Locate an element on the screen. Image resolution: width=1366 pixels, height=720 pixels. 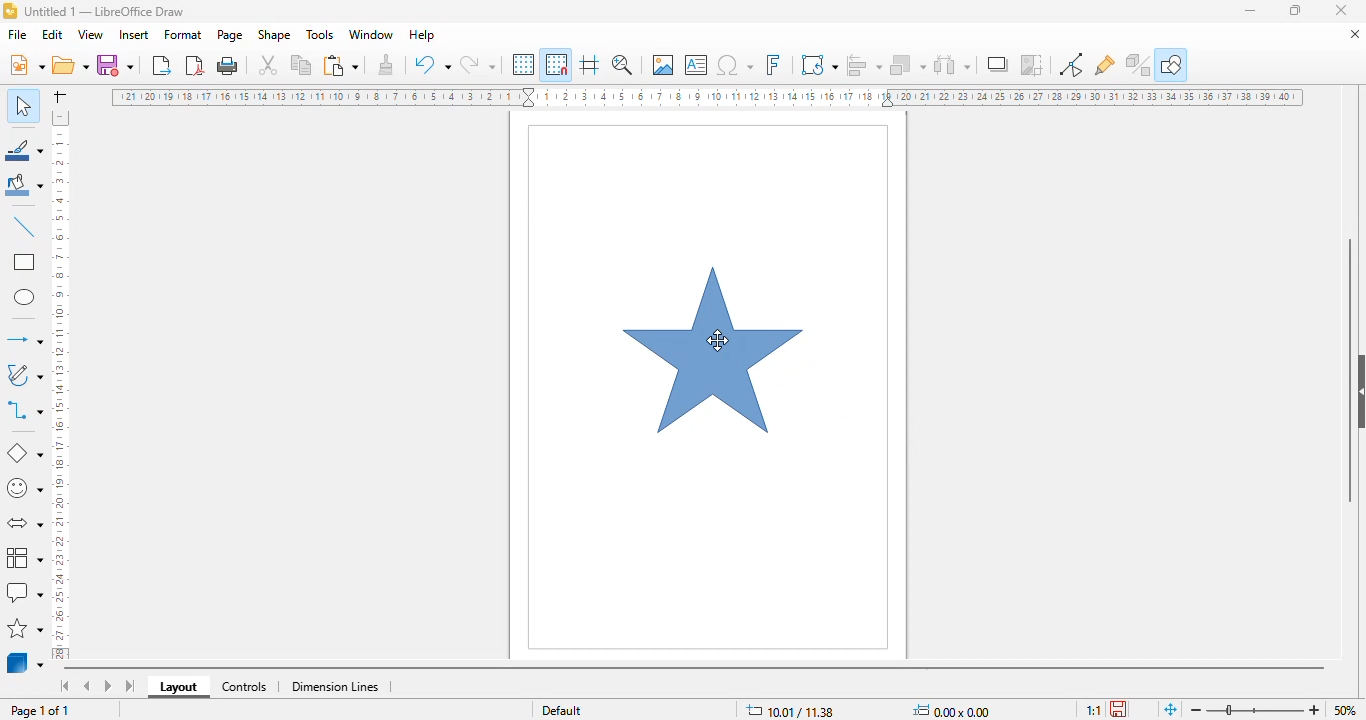
ruler is located at coordinates (707, 97).